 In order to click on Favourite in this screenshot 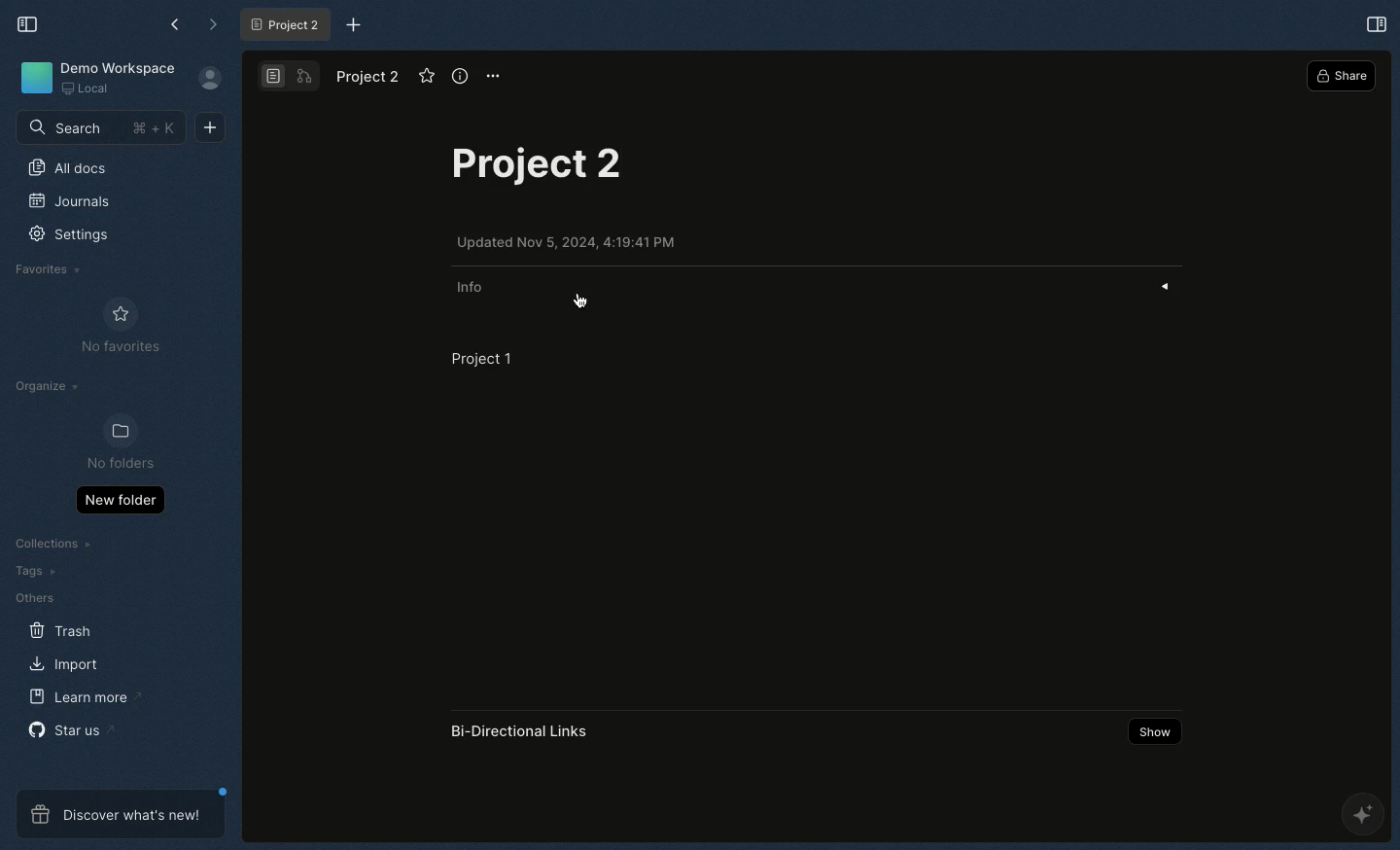, I will do `click(425, 77)`.